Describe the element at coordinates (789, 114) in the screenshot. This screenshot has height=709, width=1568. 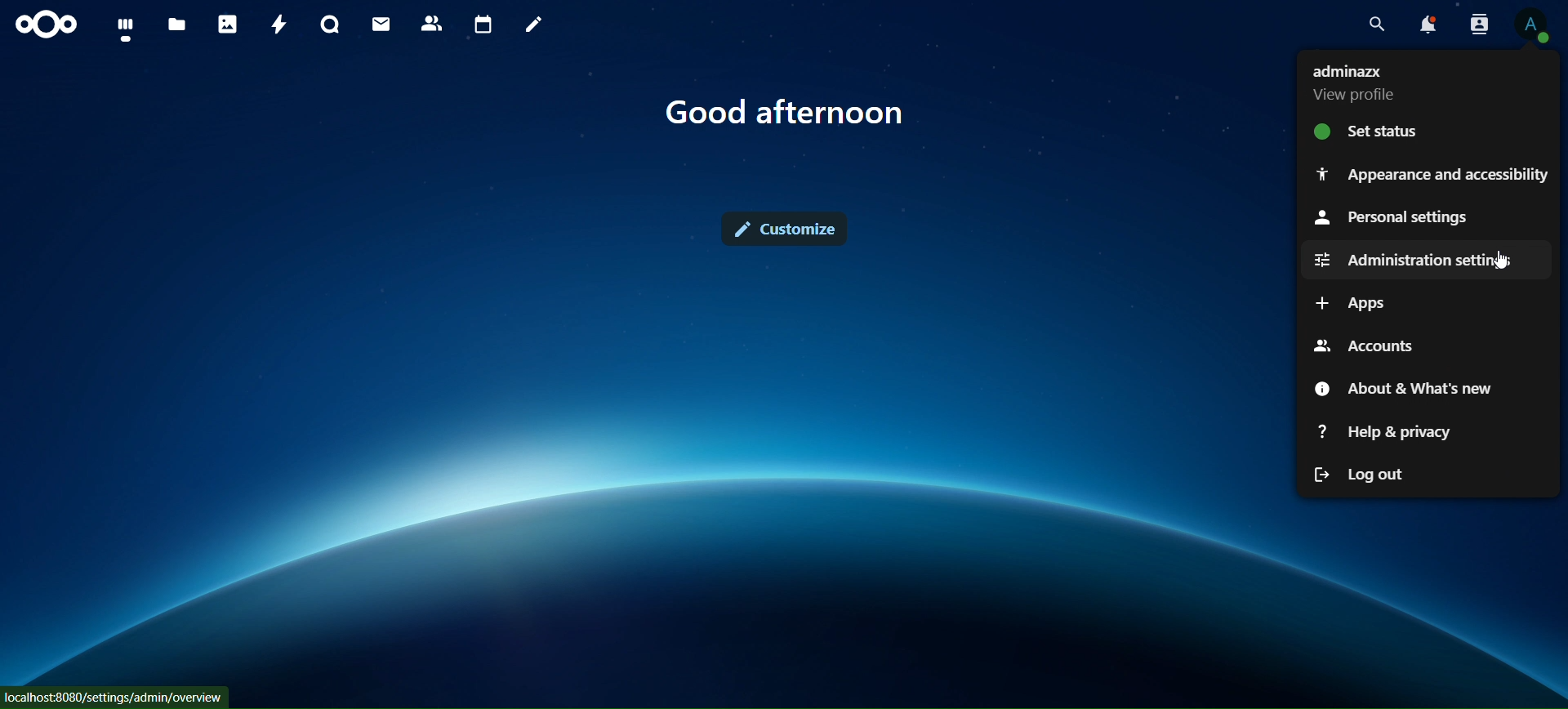
I see `Good afternoon` at that location.